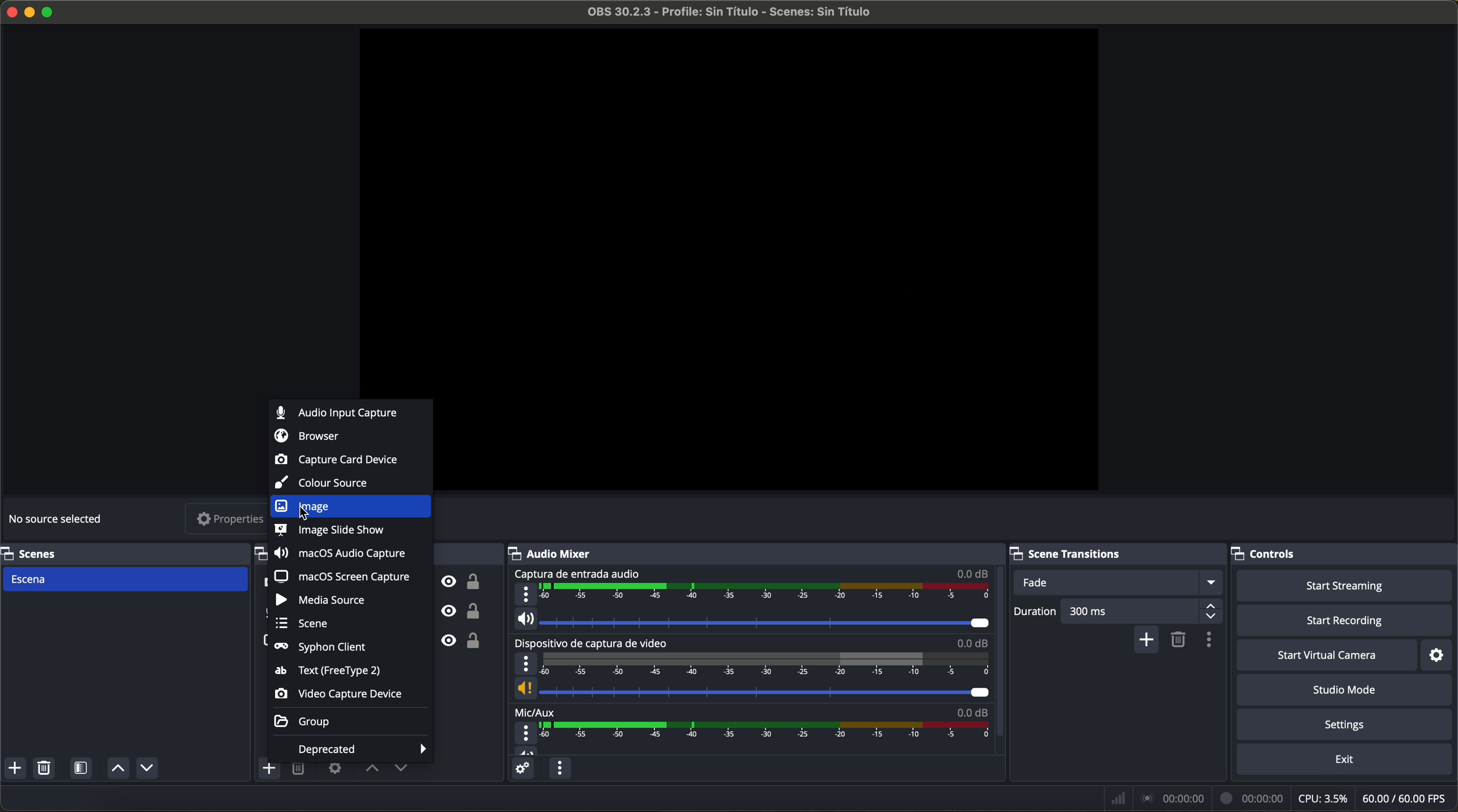 Image resolution: width=1458 pixels, height=812 pixels. What do you see at coordinates (272, 769) in the screenshot?
I see `click on add source` at bounding box center [272, 769].